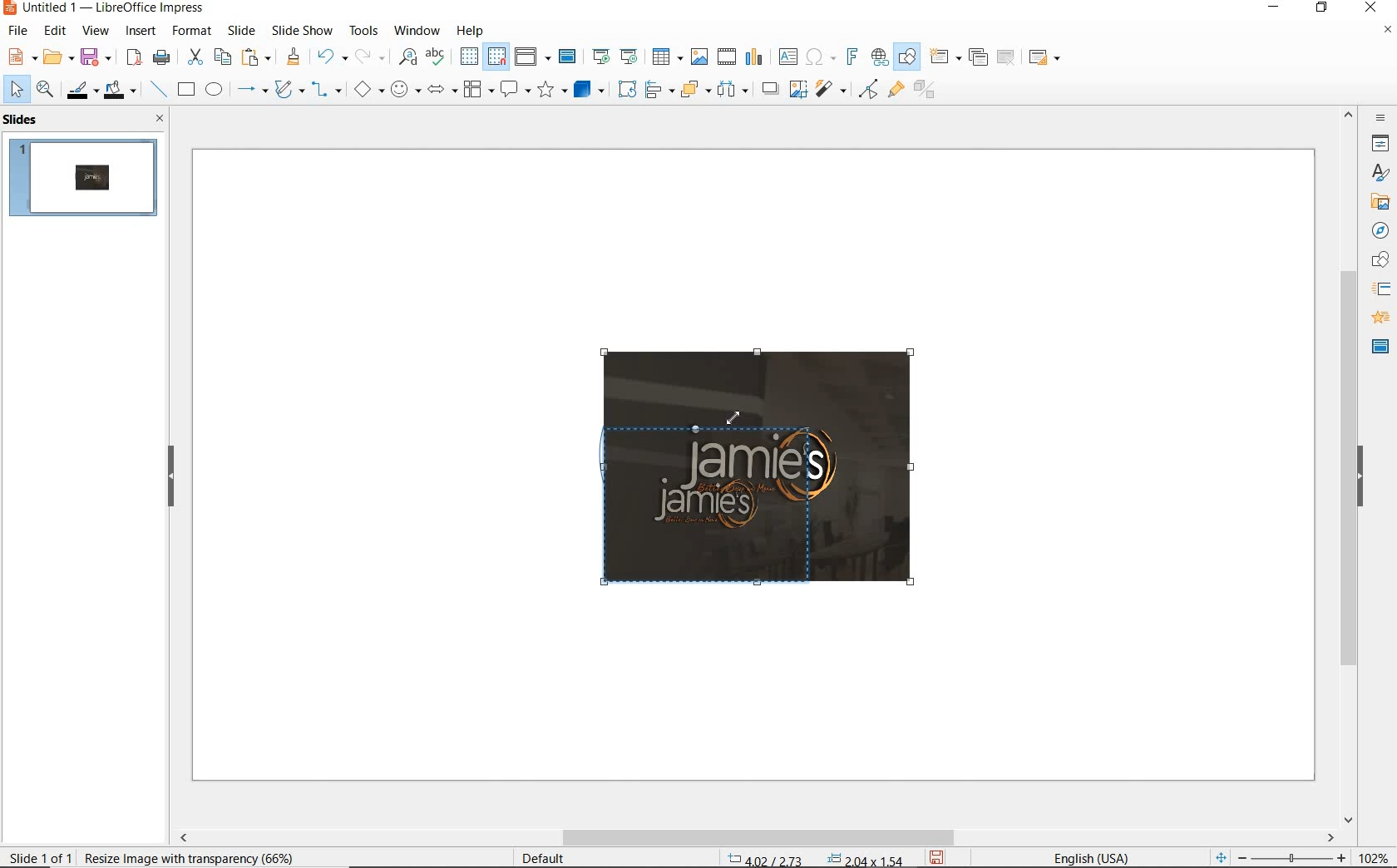  I want to click on symbol shapes, so click(405, 89).